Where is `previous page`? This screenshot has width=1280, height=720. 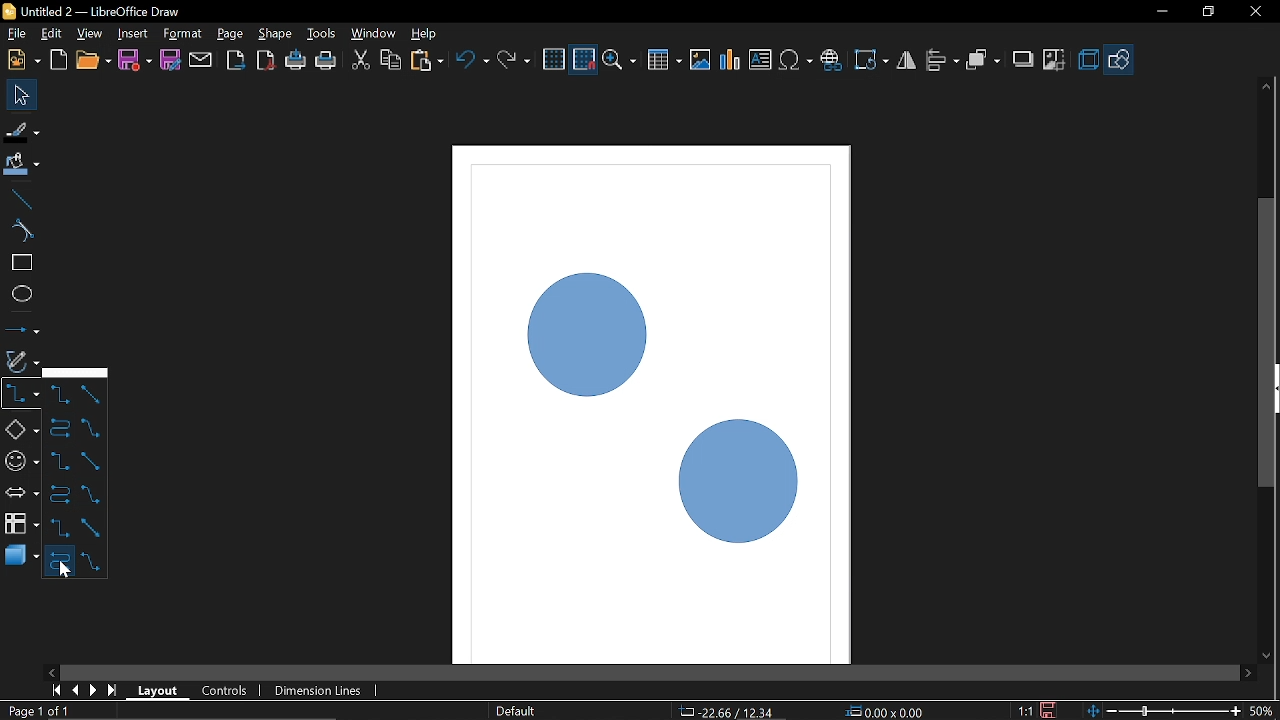
previous page is located at coordinates (72, 691).